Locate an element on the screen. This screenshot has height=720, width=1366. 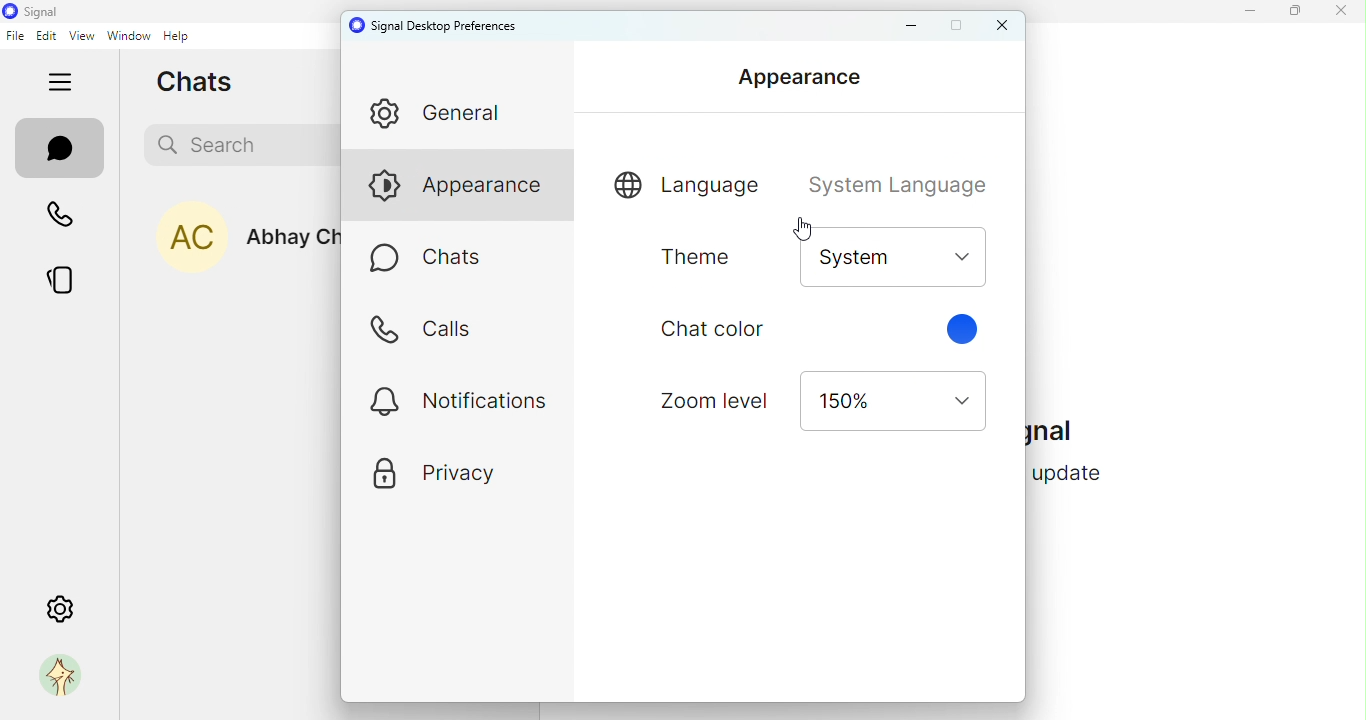
hide tabs is located at coordinates (49, 84).